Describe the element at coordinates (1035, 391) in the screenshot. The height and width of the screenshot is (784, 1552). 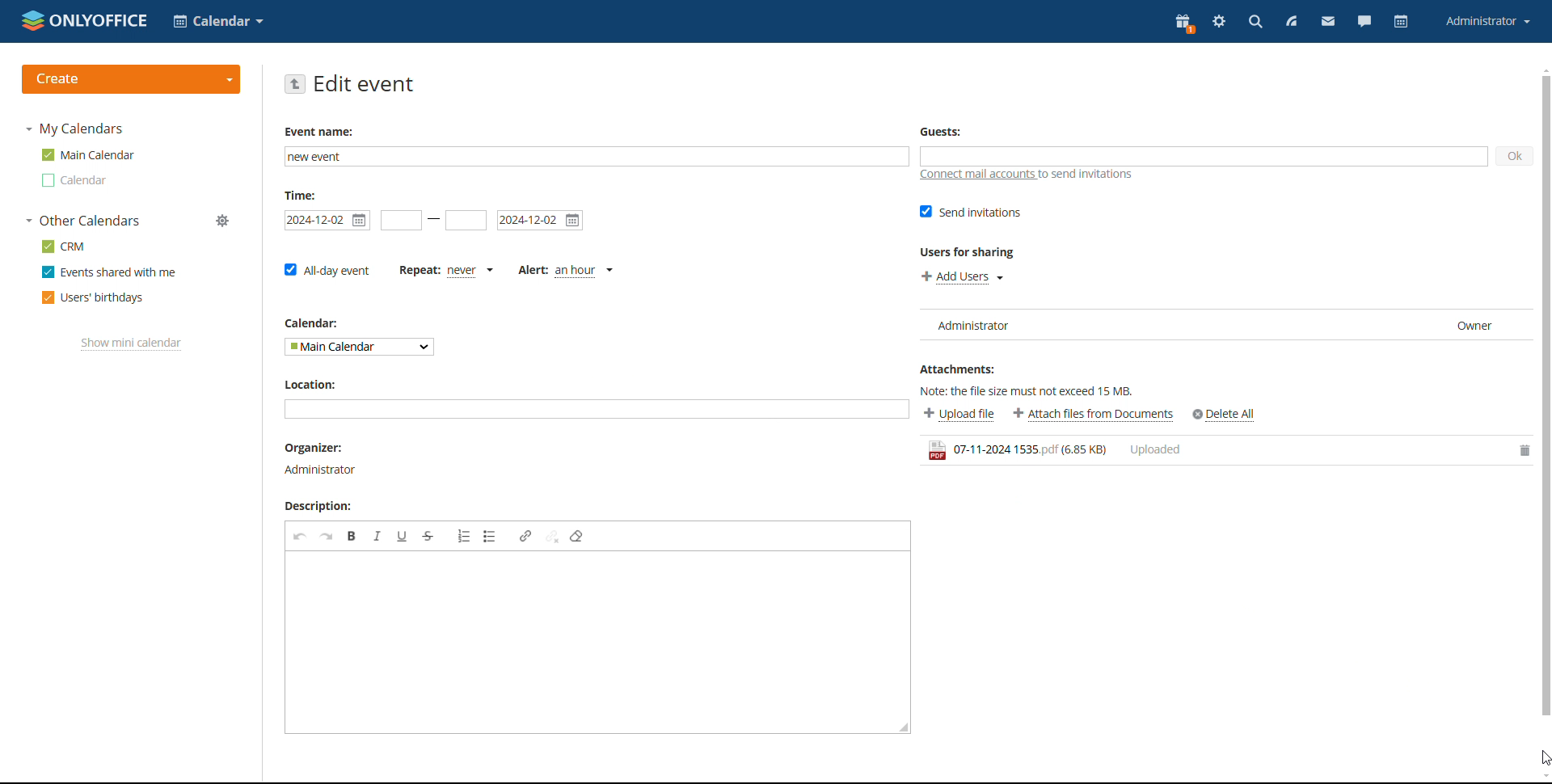
I see `Note: the file size must not exceed 15MB` at that location.